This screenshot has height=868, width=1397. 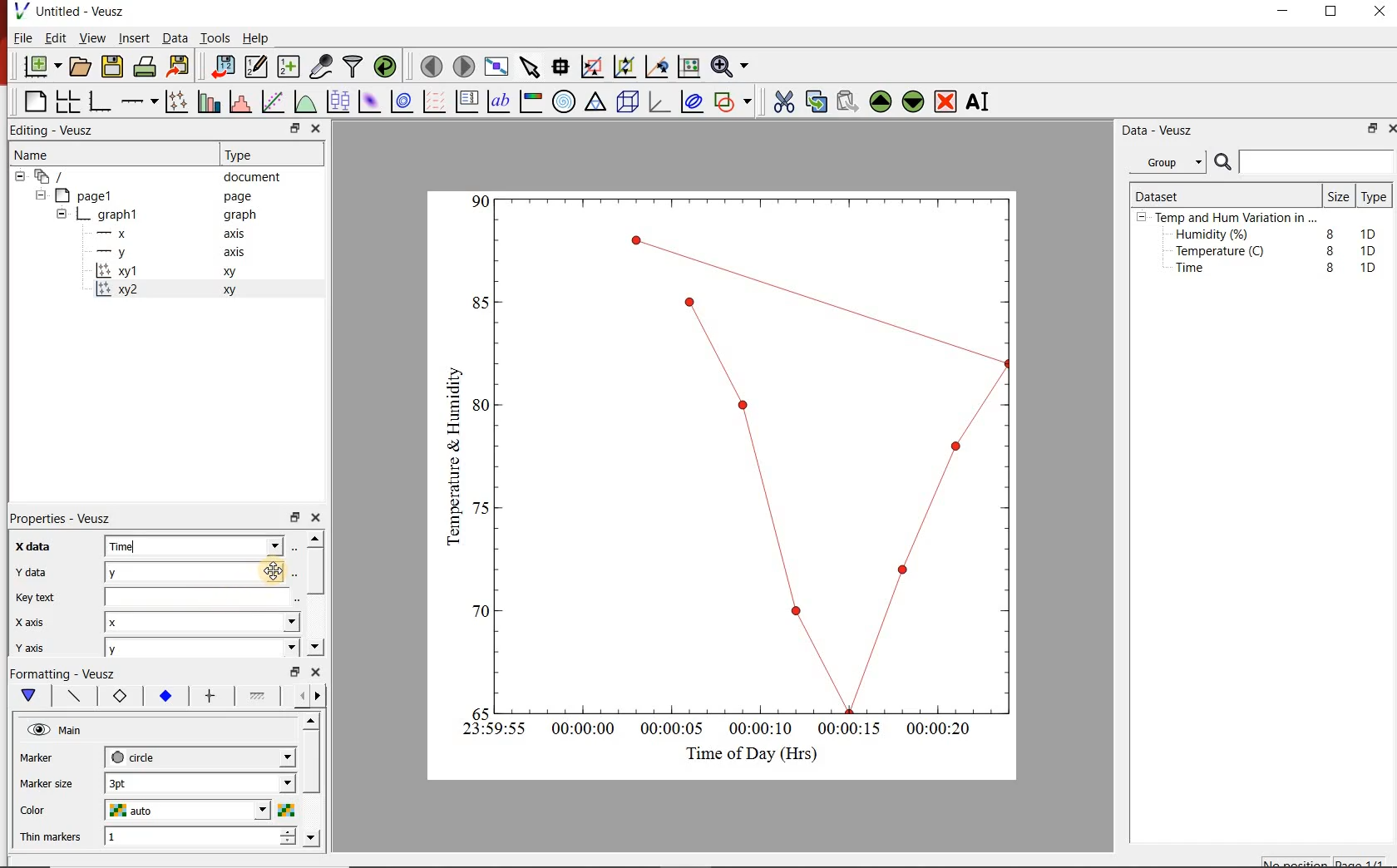 I want to click on 0, so click(x=479, y=711).